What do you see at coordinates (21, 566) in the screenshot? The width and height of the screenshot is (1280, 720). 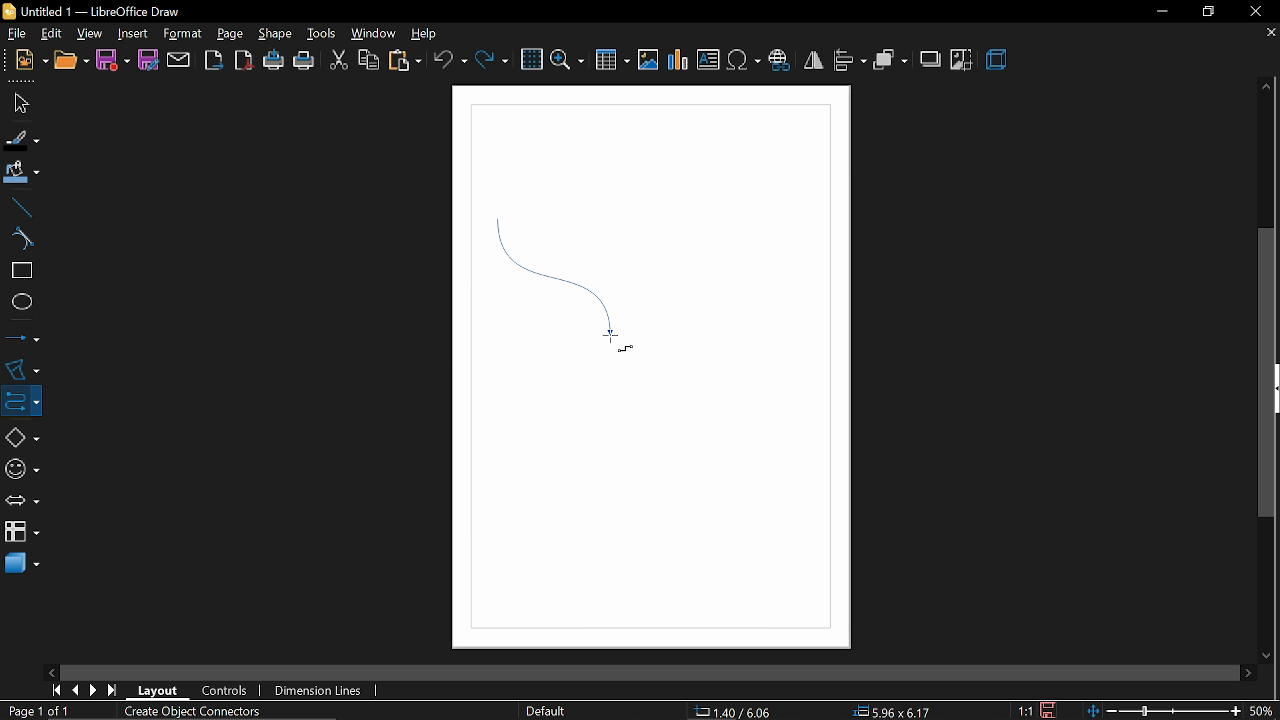 I see `3d shapes` at bounding box center [21, 566].